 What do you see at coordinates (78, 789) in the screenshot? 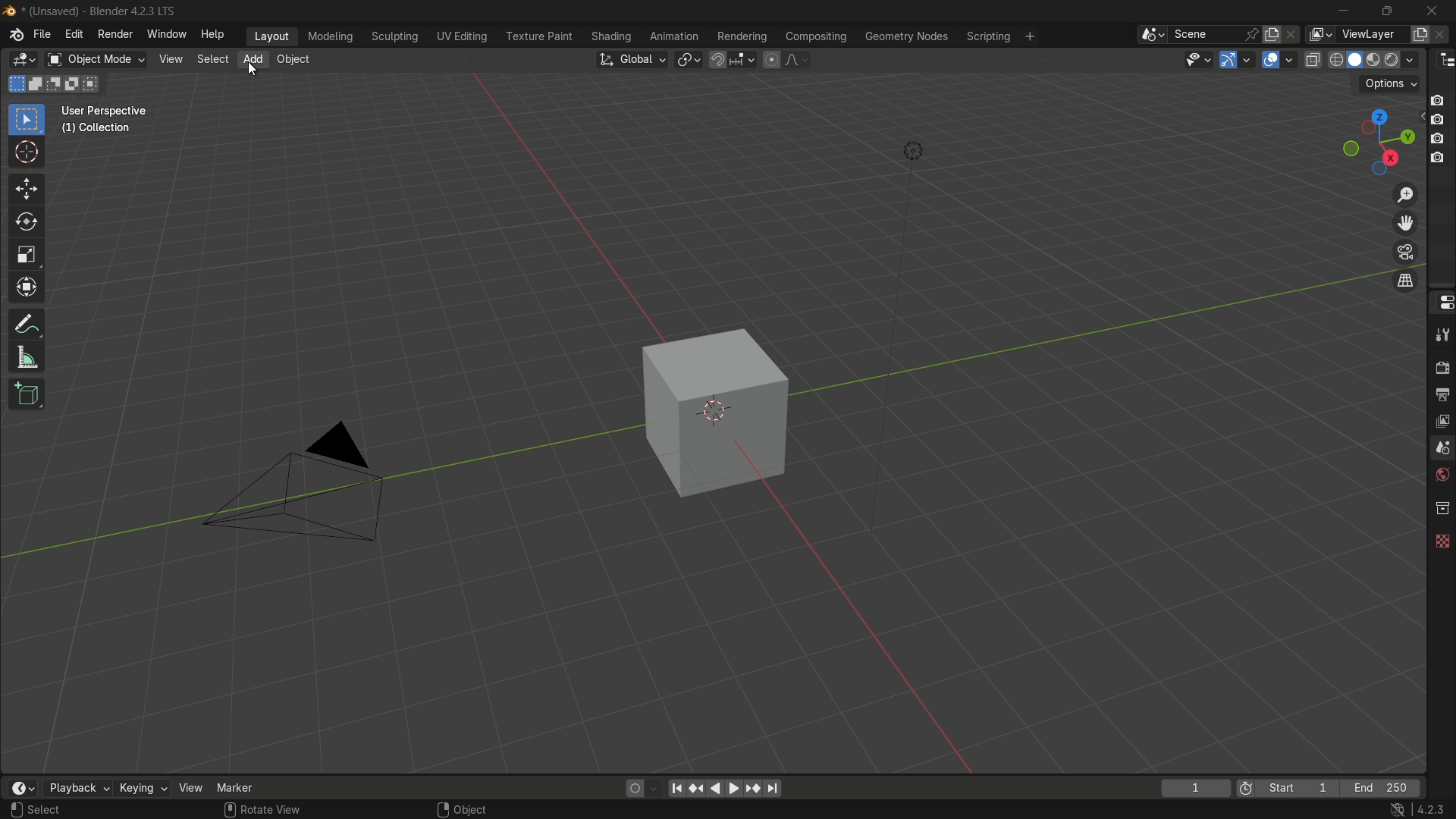
I see `playback` at bounding box center [78, 789].